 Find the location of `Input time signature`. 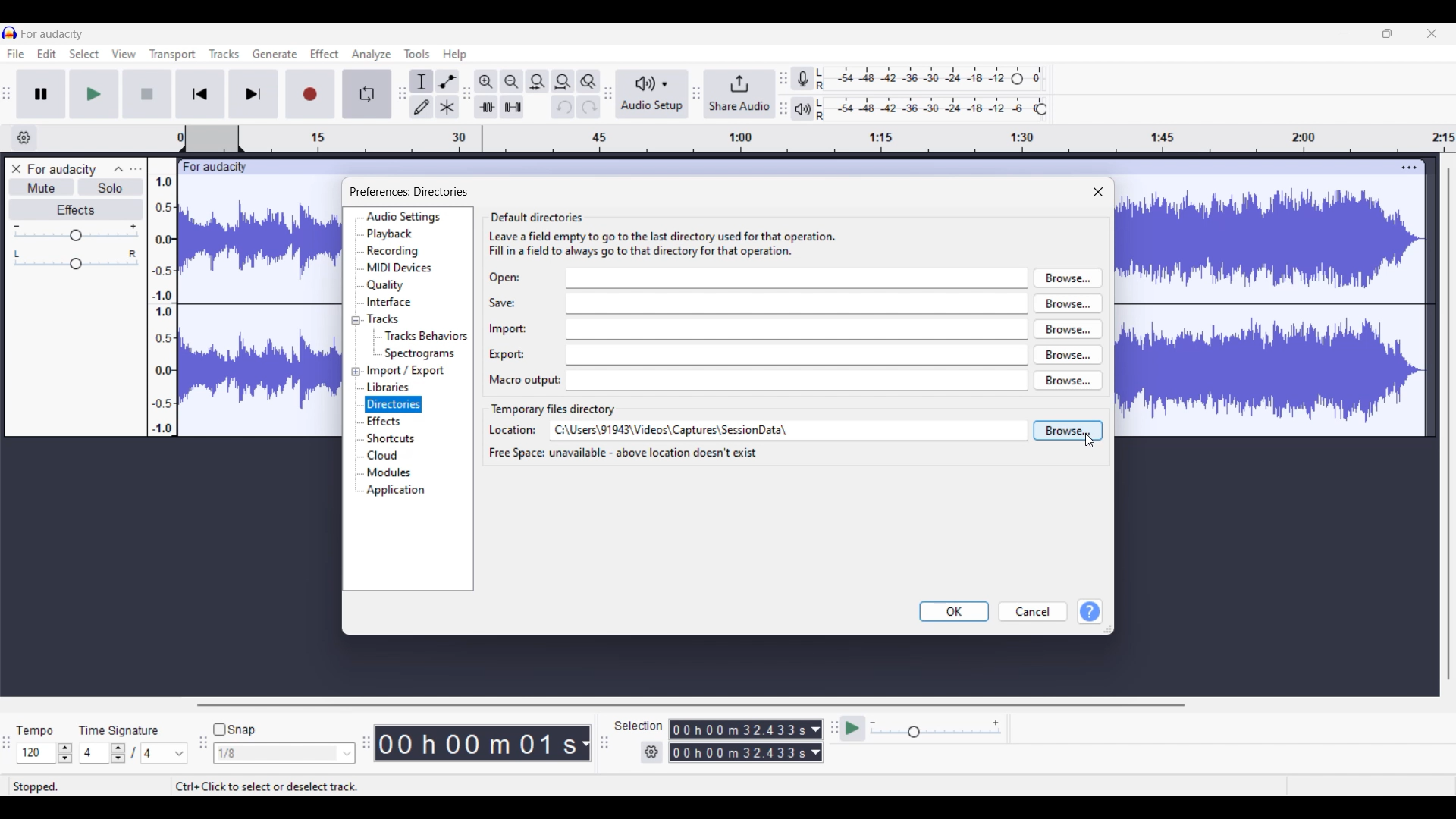

Input time signature is located at coordinates (94, 753).